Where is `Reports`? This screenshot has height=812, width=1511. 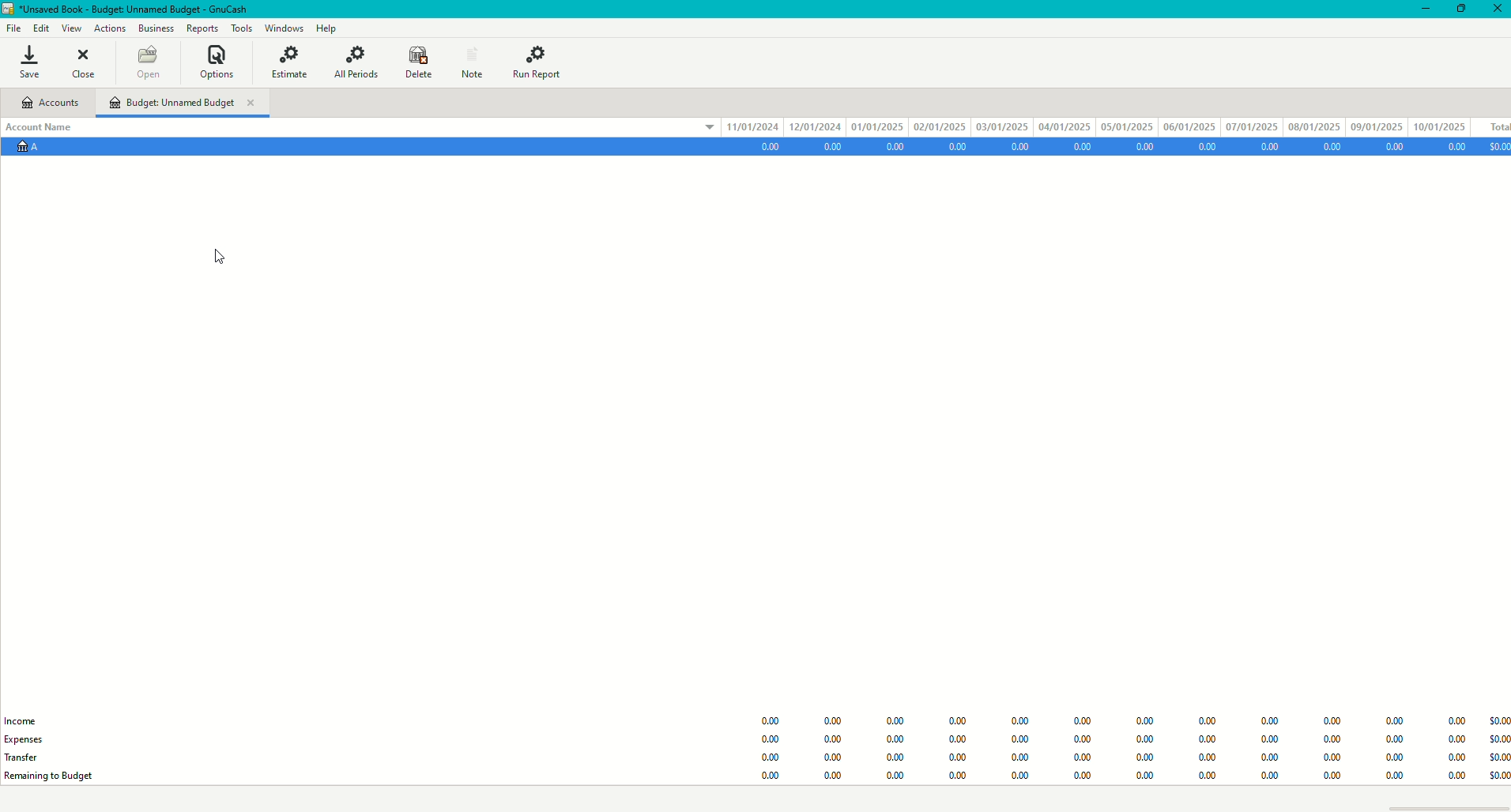 Reports is located at coordinates (198, 28).